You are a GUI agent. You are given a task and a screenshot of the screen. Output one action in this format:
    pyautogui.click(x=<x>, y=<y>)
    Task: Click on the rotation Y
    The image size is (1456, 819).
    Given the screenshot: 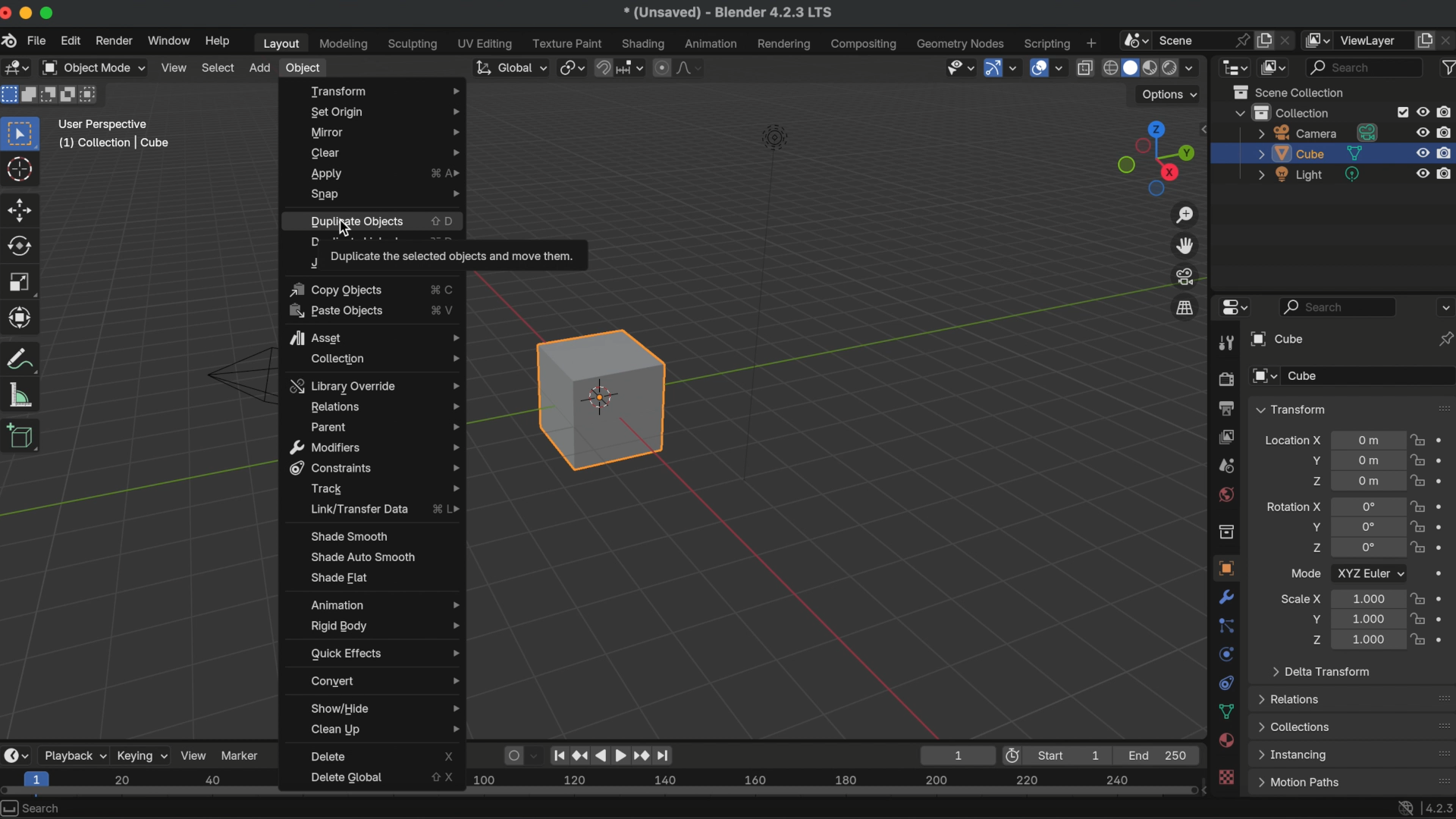 What is the action you would take?
    pyautogui.click(x=1314, y=527)
    